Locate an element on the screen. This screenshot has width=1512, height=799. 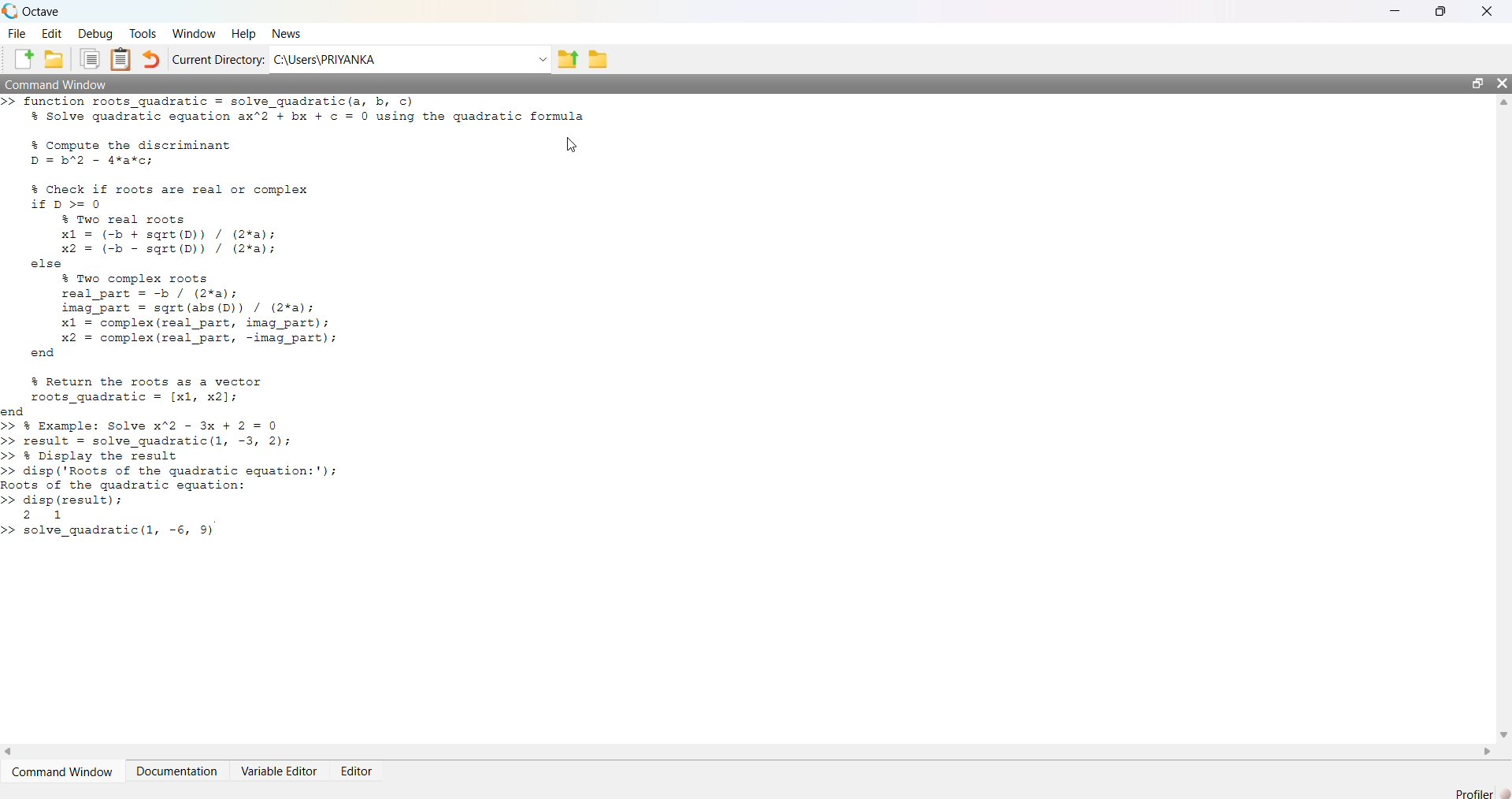
Open an existing file in editor is located at coordinates (53, 59).